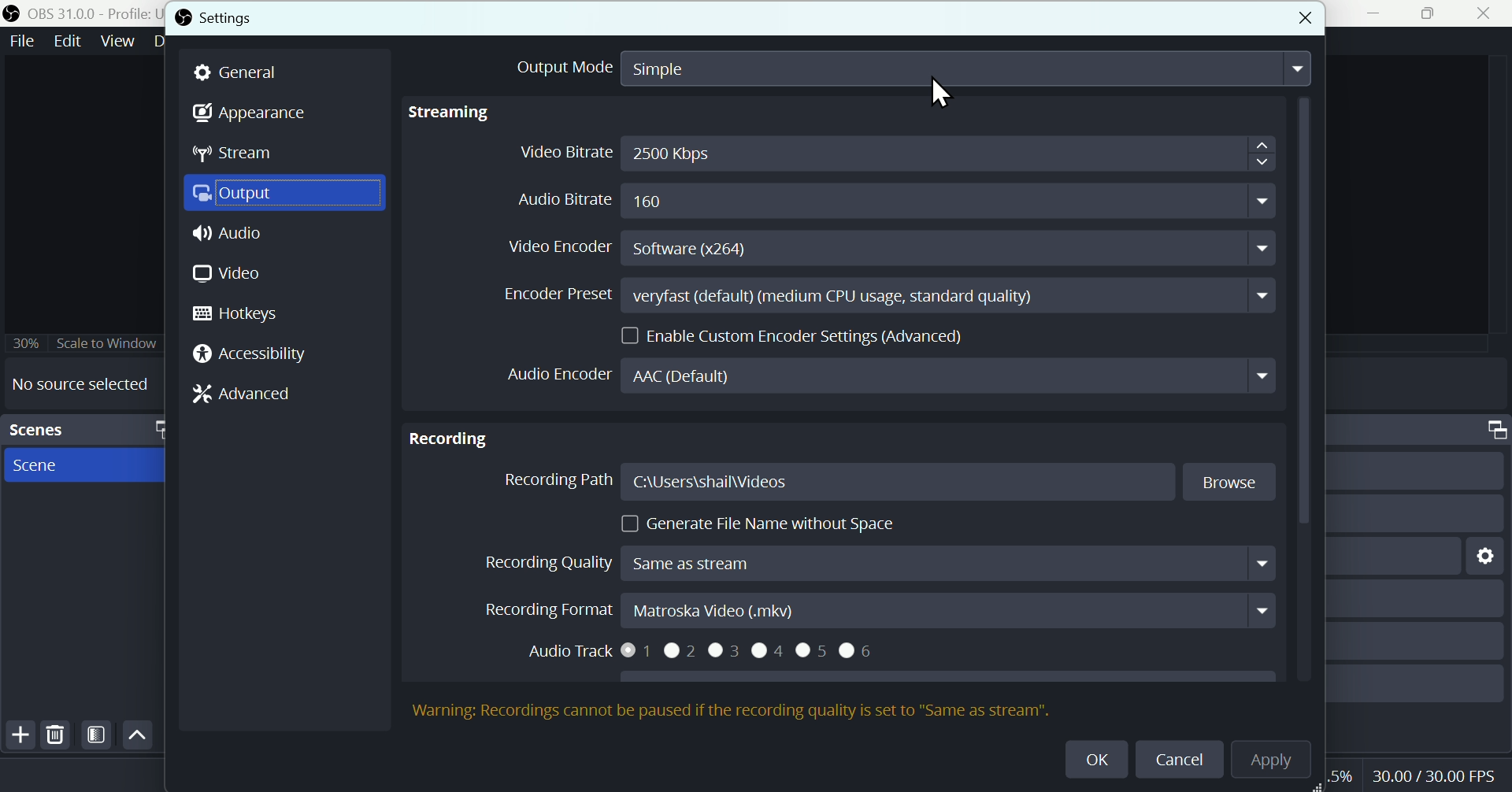 The image size is (1512, 792). I want to click on File, so click(23, 40).